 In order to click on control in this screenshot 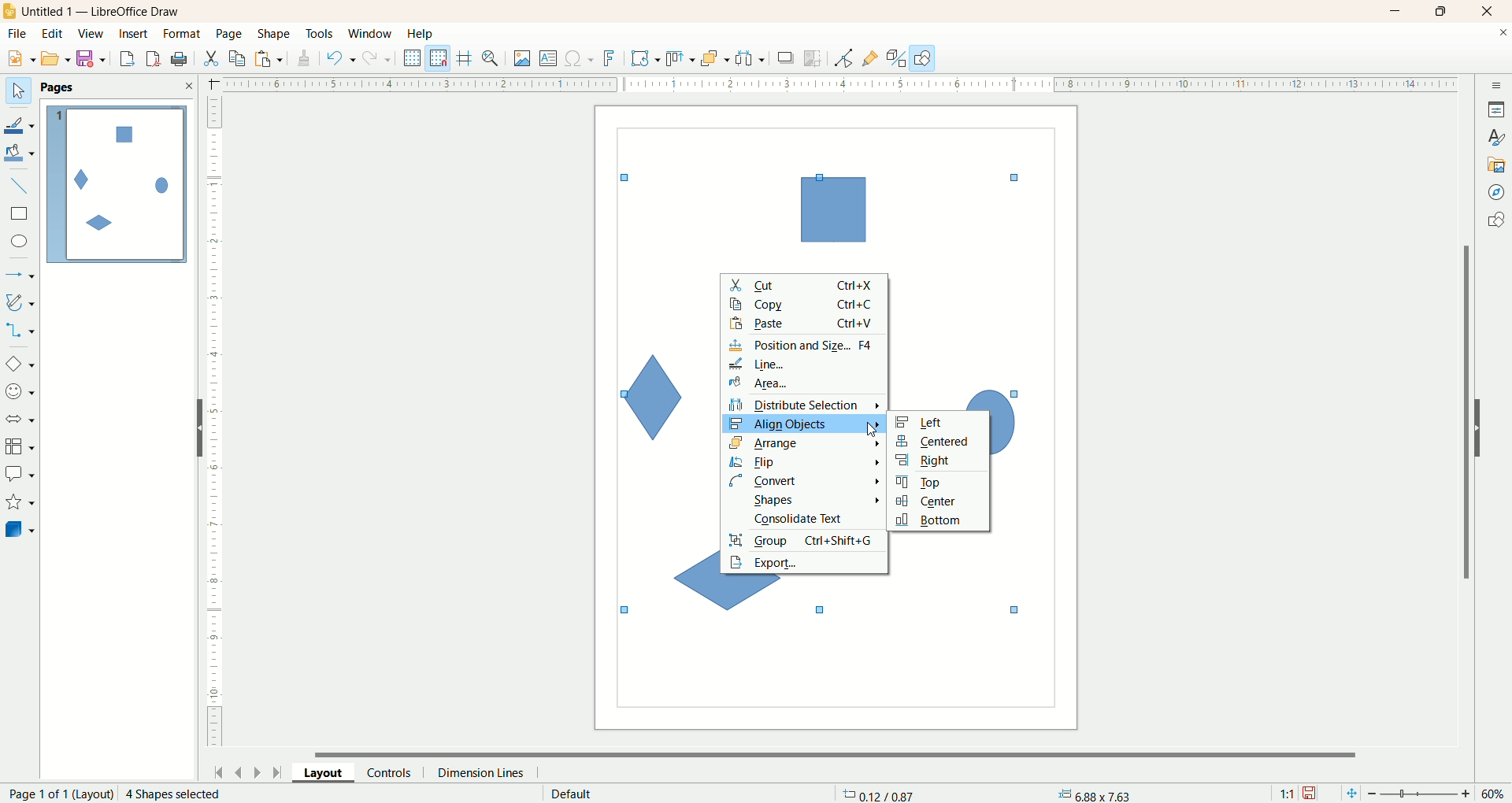, I will do `click(396, 772)`.